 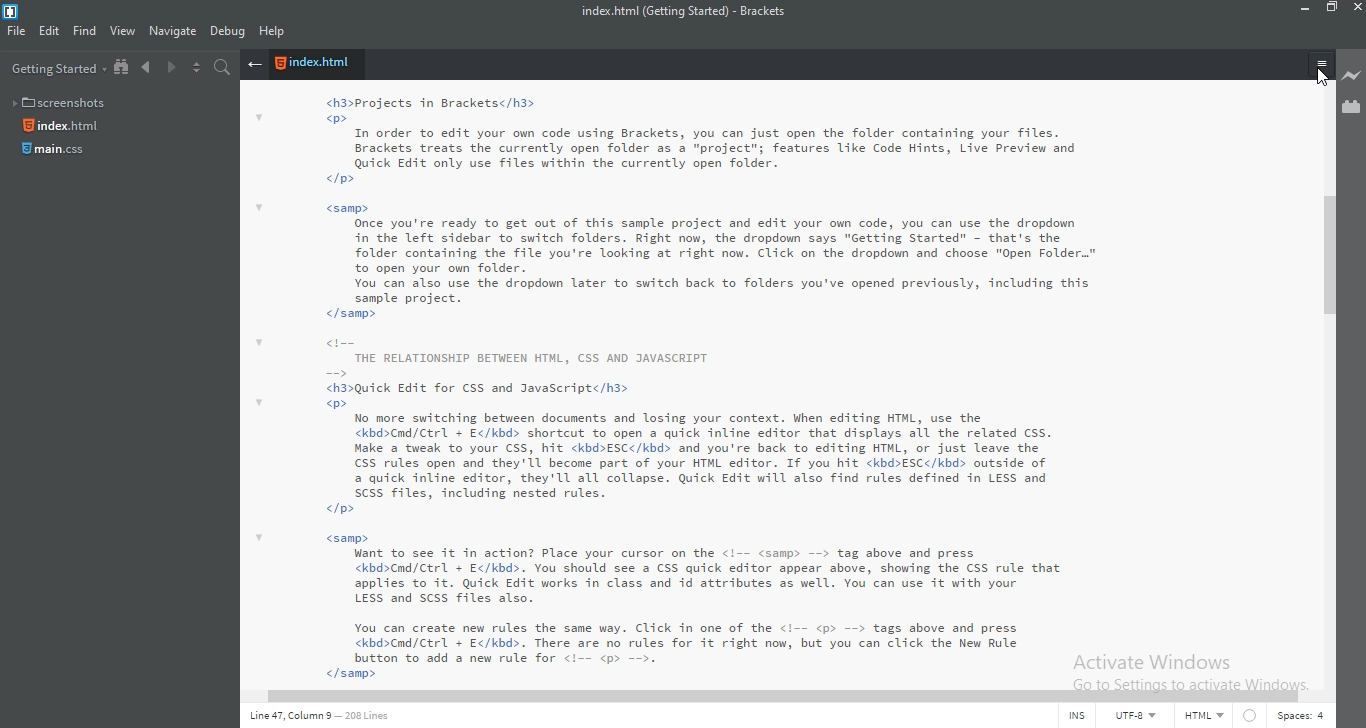 I want to click on Show file tree, so click(x=123, y=68).